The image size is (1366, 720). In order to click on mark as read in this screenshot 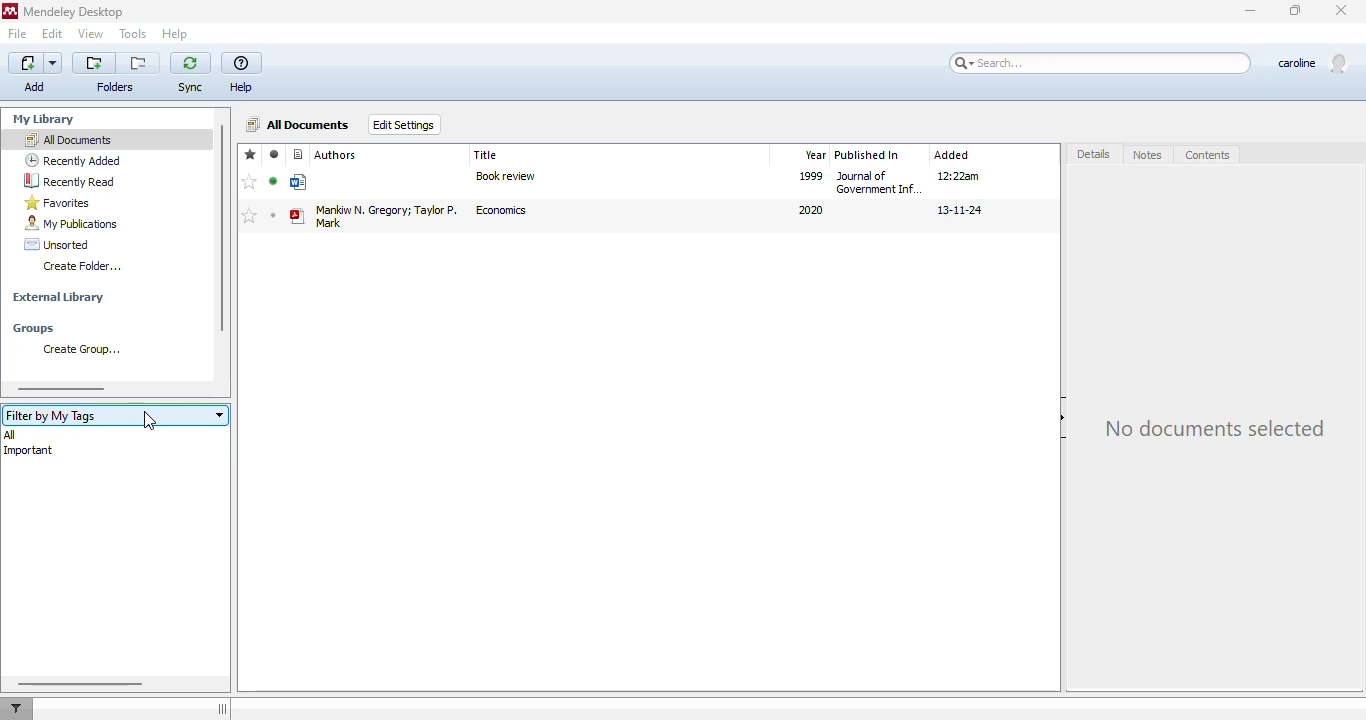, I will do `click(273, 181)`.